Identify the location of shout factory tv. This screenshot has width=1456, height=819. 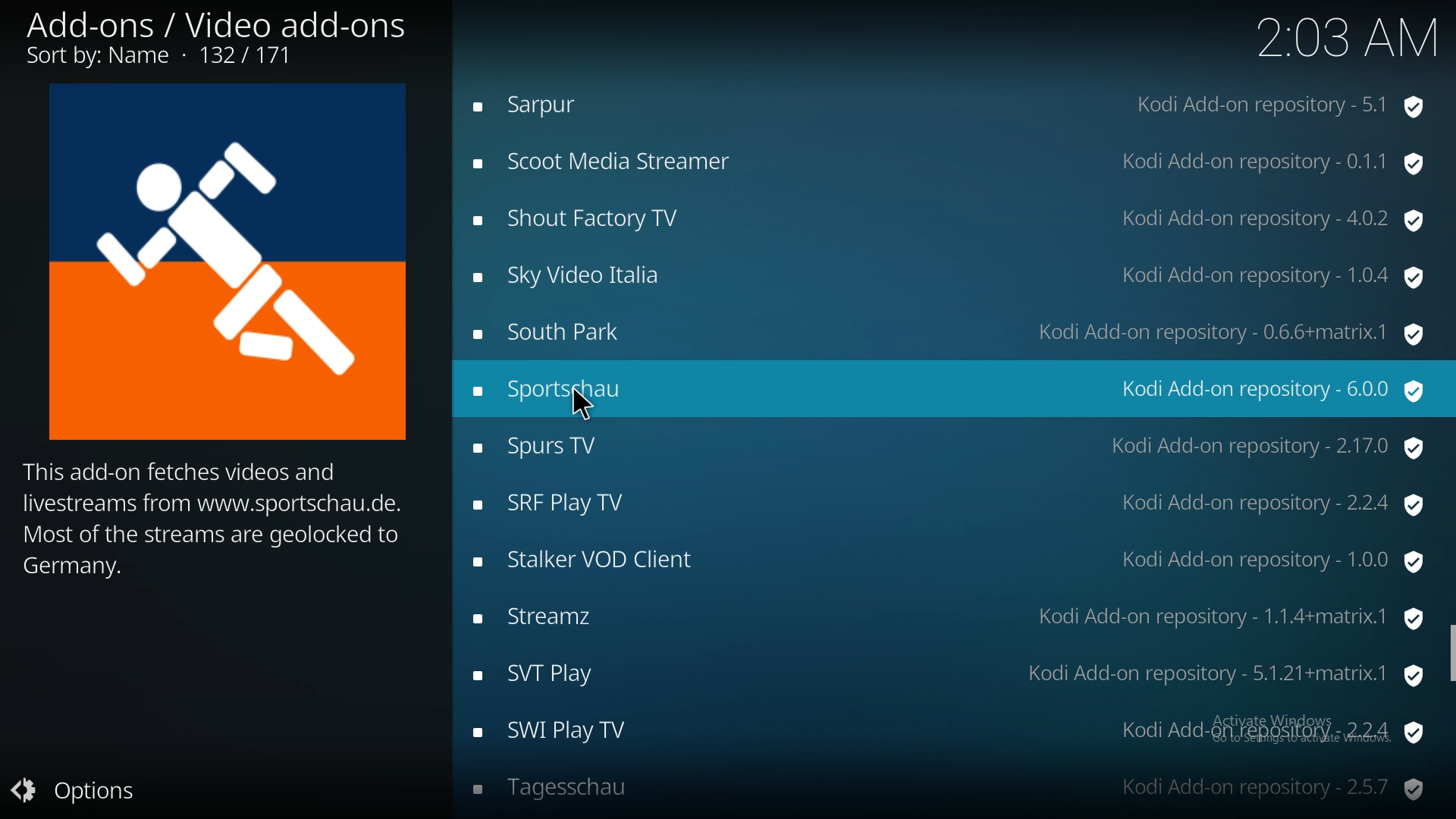
(954, 221).